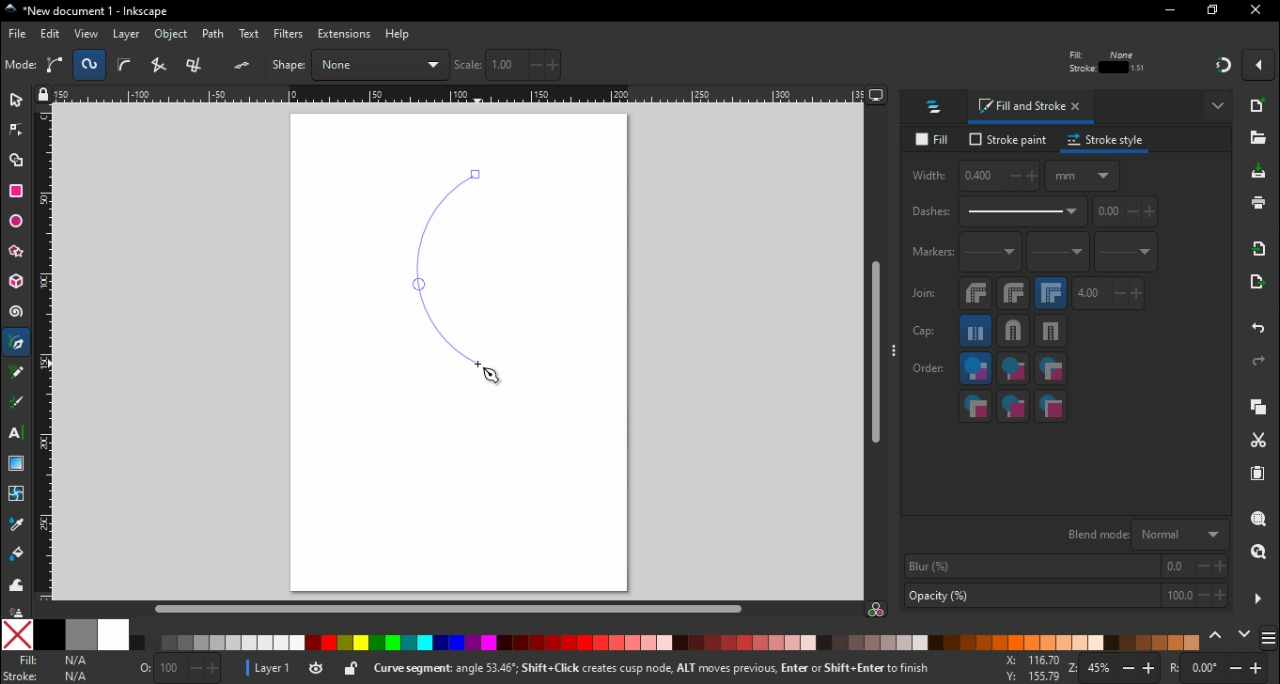 This screenshot has width=1280, height=684. What do you see at coordinates (1258, 11) in the screenshot?
I see `close window` at bounding box center [1258, 11].